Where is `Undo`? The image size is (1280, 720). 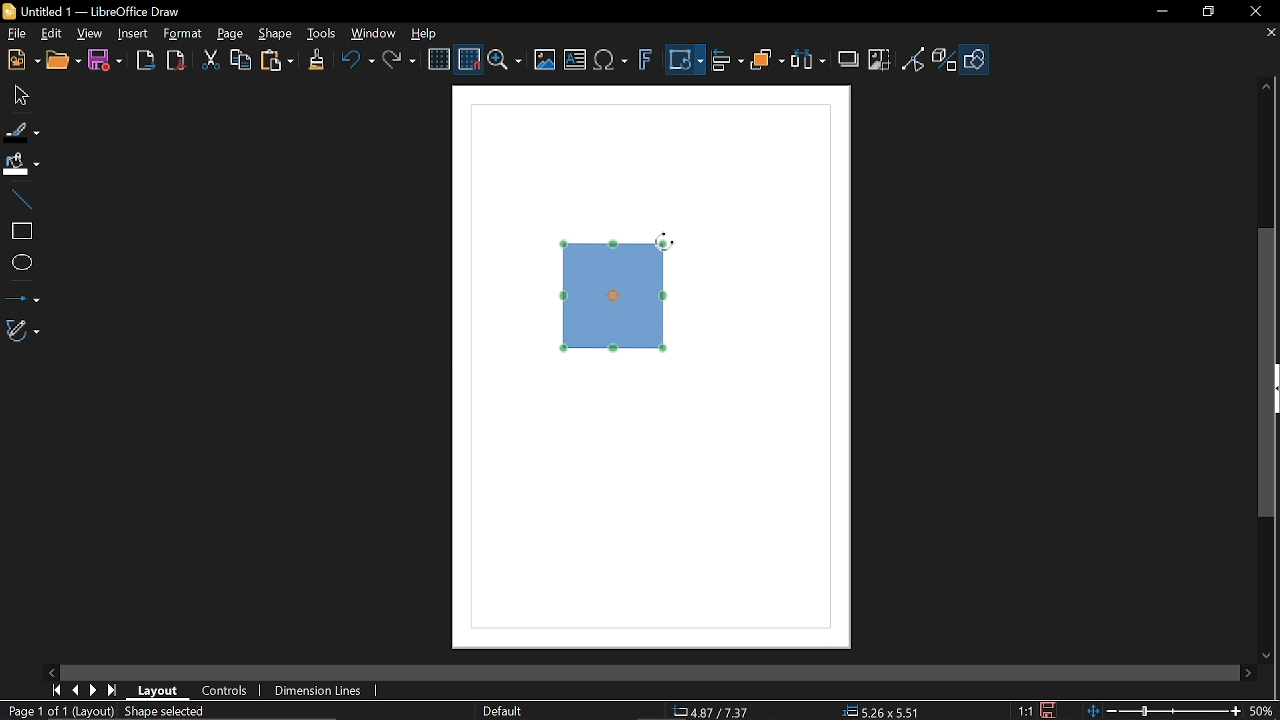 Undo is located at coordinates (354, 62).